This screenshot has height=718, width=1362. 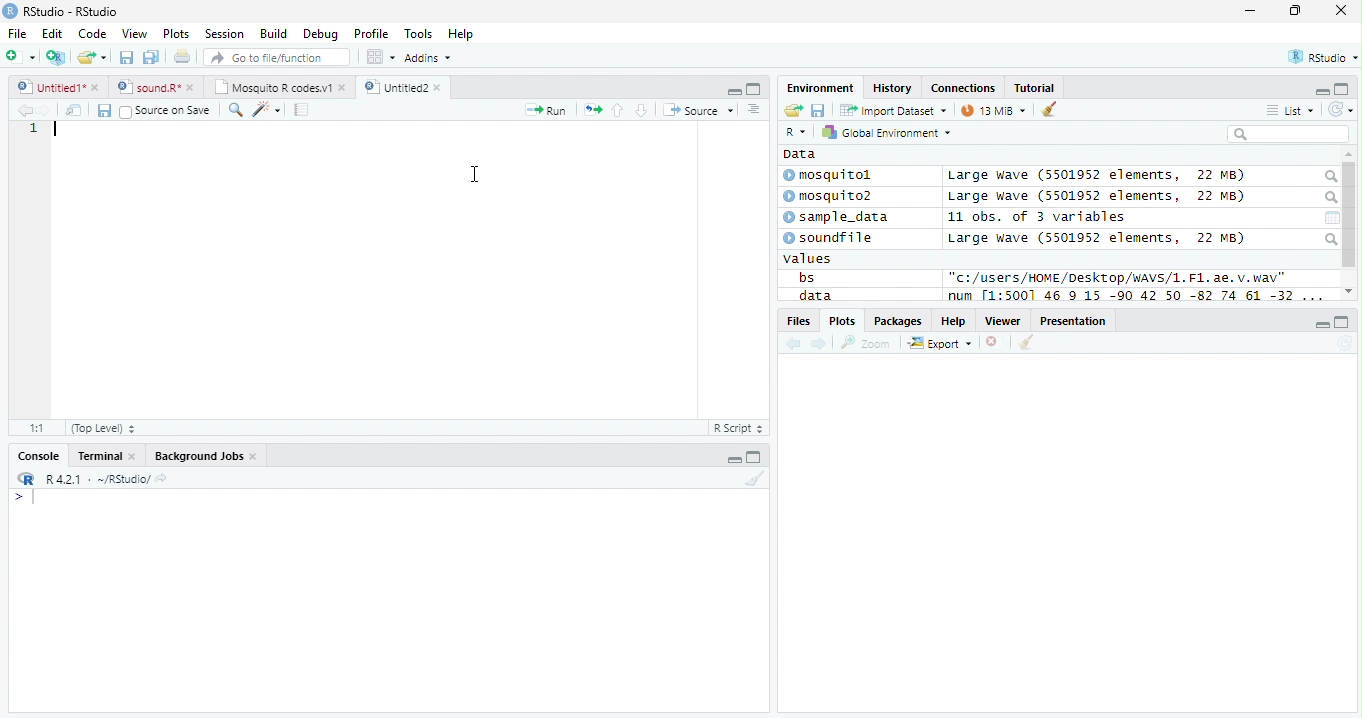 I want to click on Background Jobs, so click(x=204, y=456).